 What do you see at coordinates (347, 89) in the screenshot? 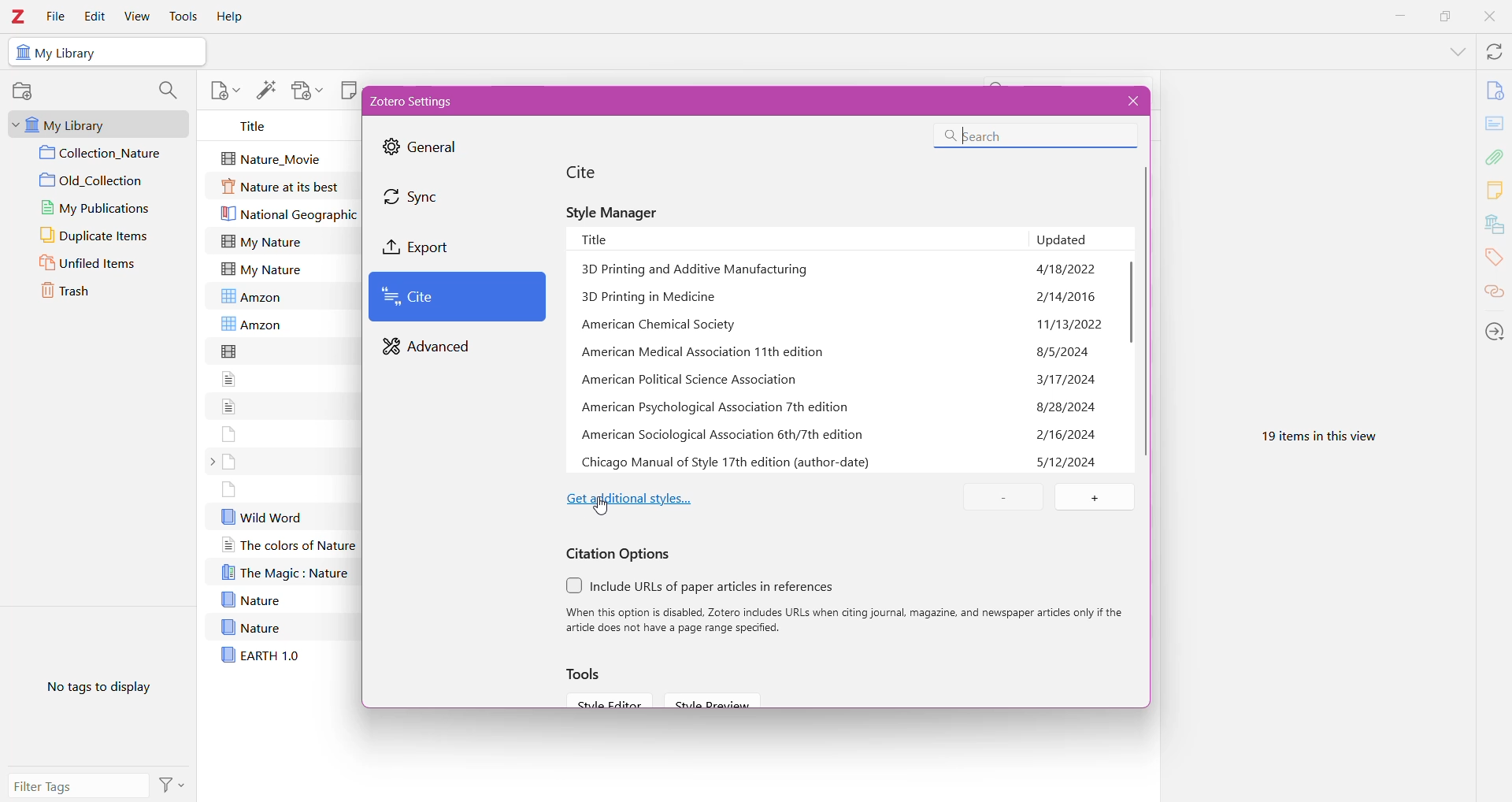
I see `New Note` at bounding box center [347, 89].